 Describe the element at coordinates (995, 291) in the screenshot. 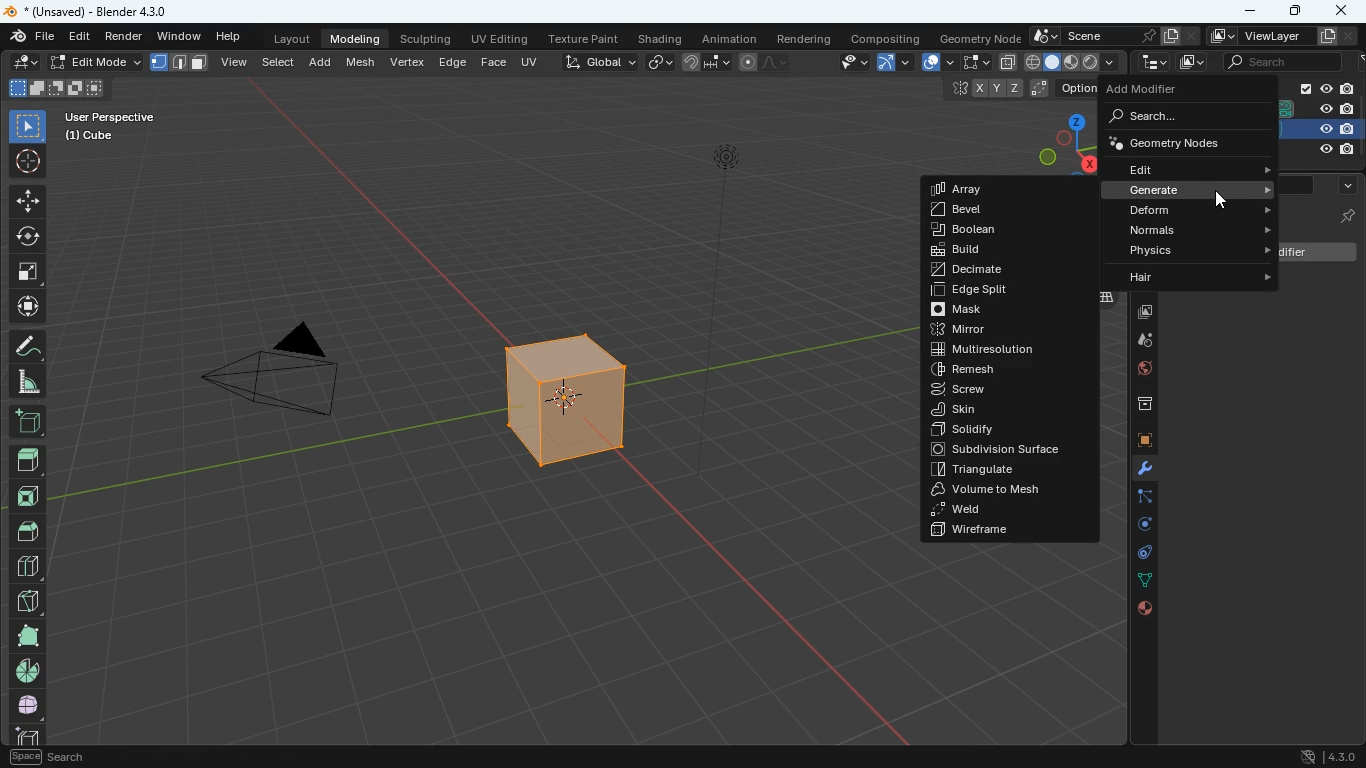

I see `edge split` at that location.